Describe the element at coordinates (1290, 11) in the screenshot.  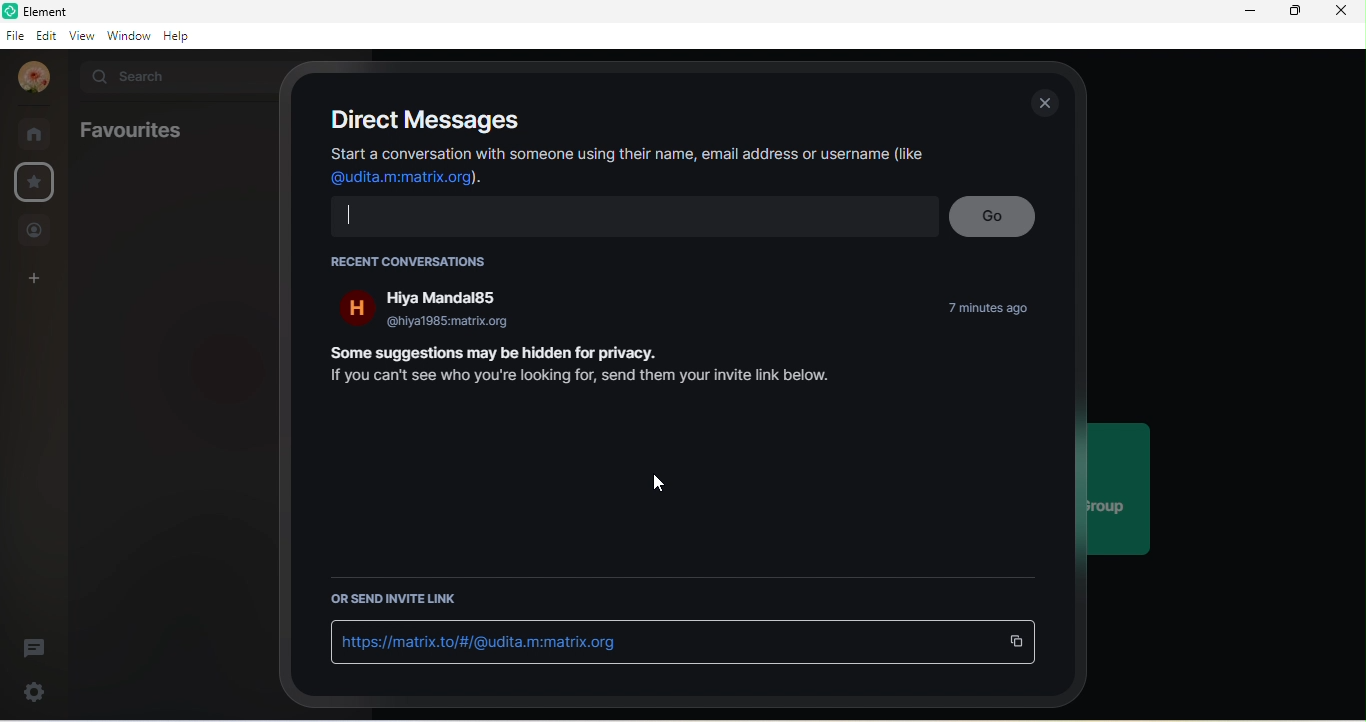
I see `maximize` at that location.